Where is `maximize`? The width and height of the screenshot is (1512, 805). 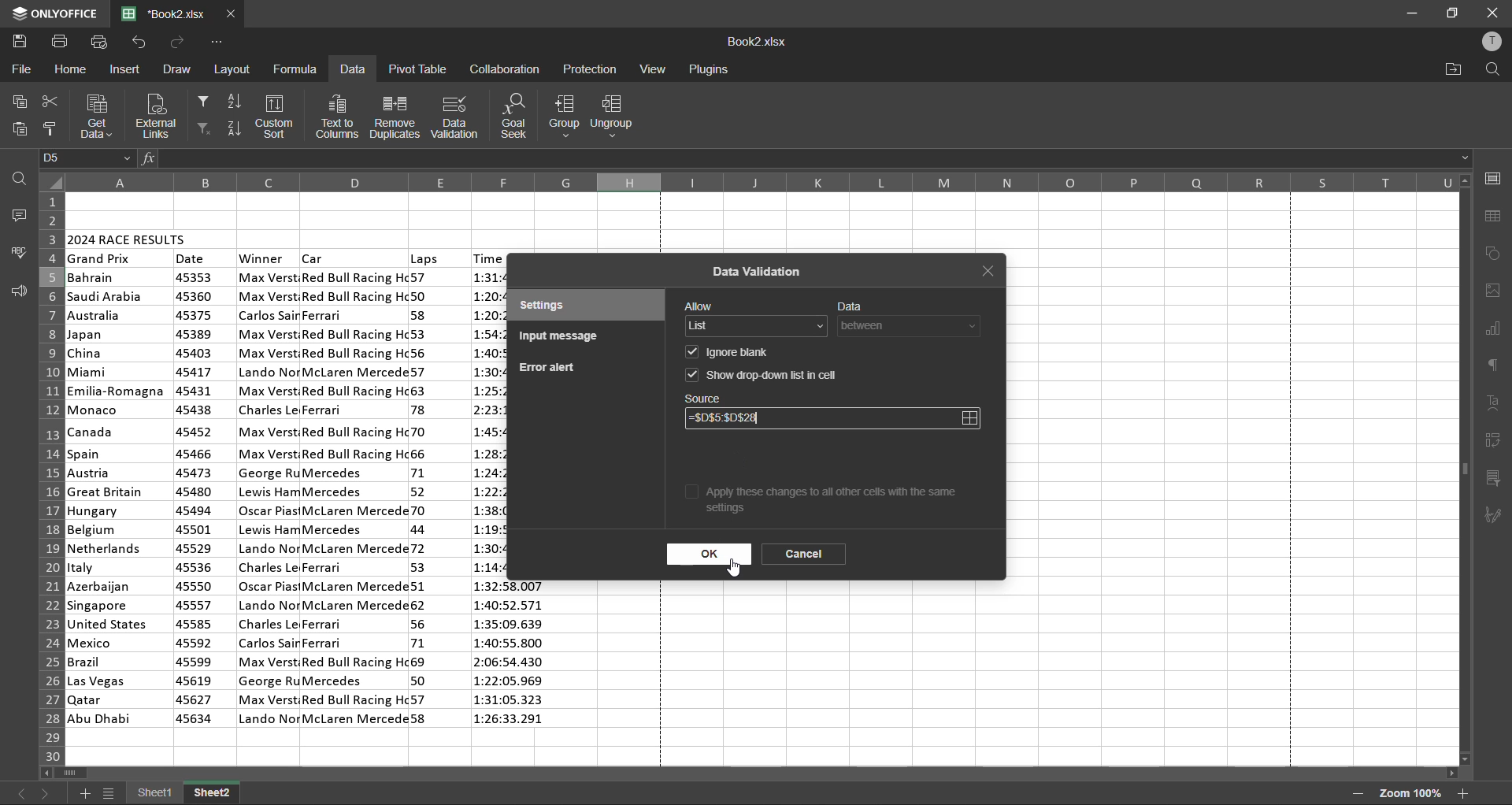
maximize is located at coordinates (1455, 12).